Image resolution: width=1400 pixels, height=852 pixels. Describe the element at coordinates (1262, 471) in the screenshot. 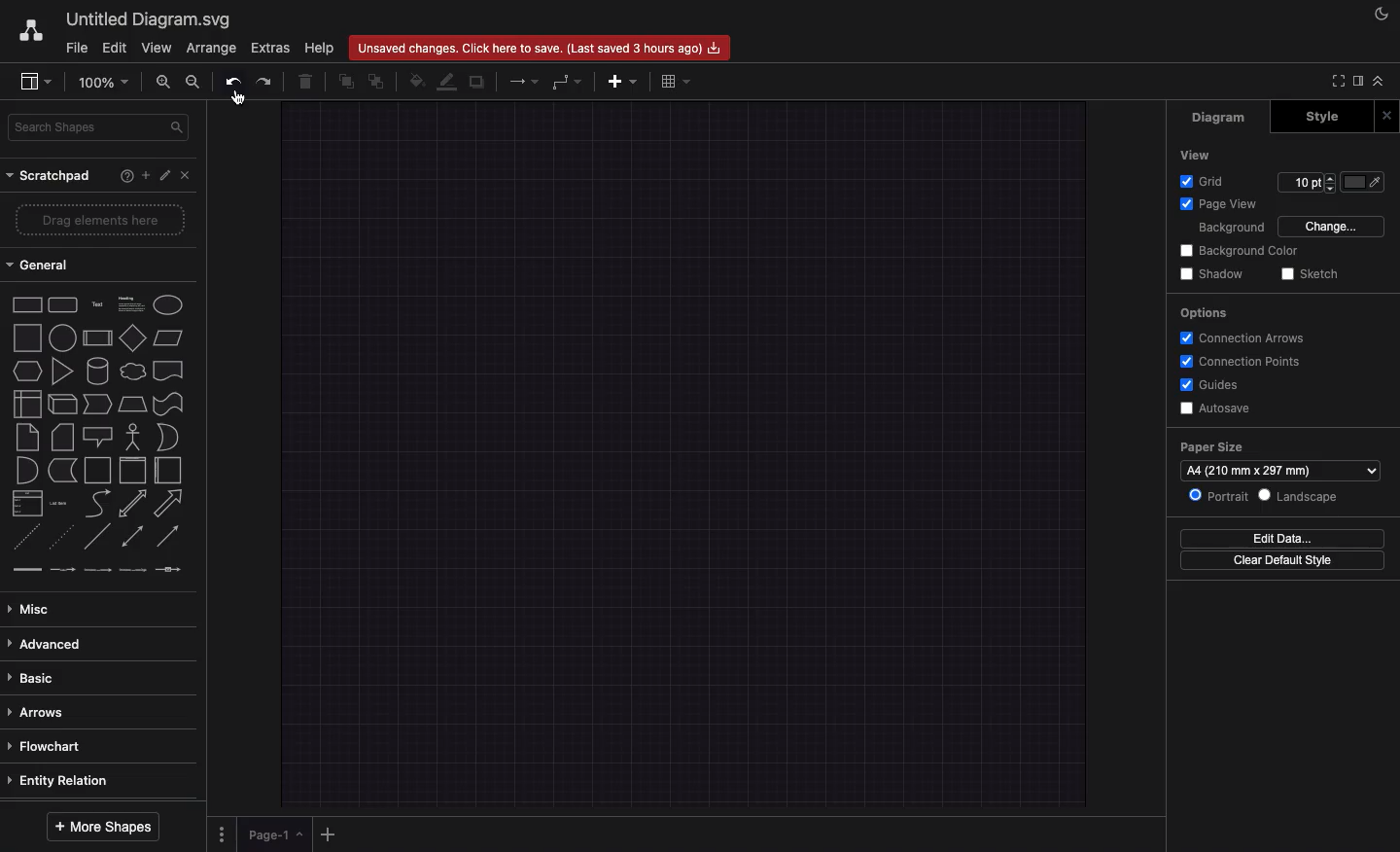

I see `A4 (210 mm x 297 mm)` at that location.